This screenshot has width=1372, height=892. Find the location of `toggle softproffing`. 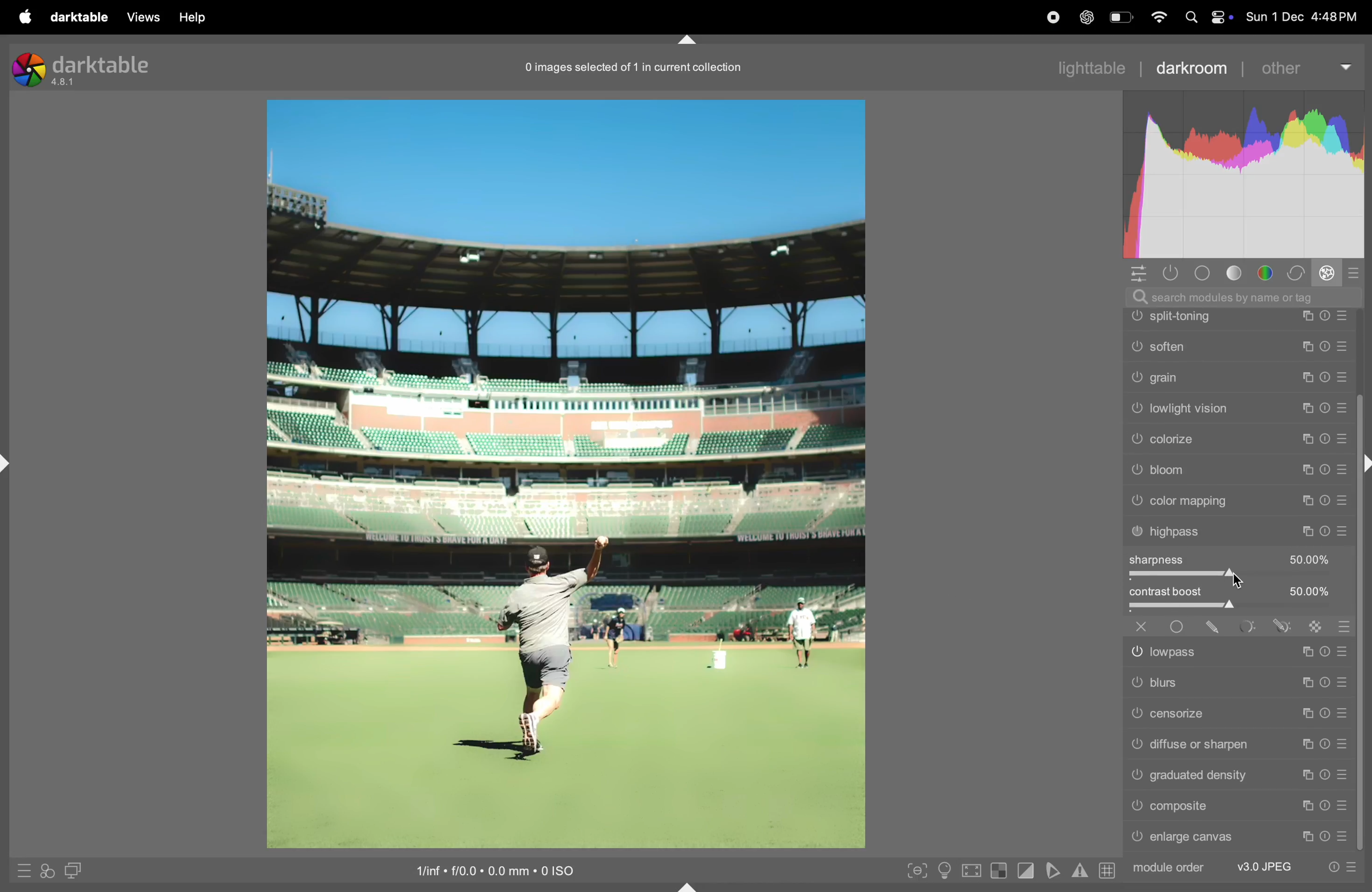

toggle softproffing is located at coordinates (1051, 871).